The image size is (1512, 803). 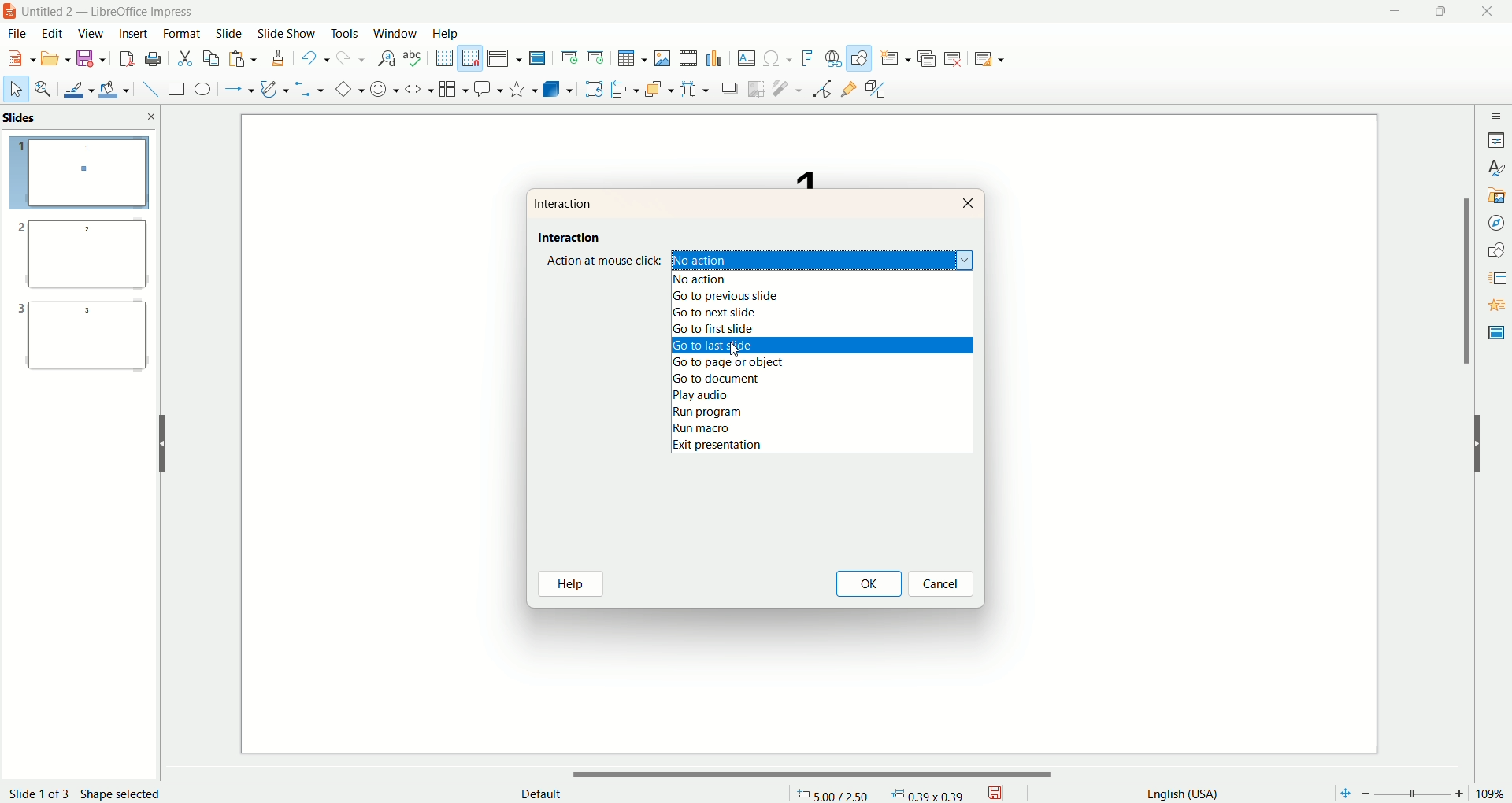 I want to click on export directly as PDF, so click(x=125, y=59).